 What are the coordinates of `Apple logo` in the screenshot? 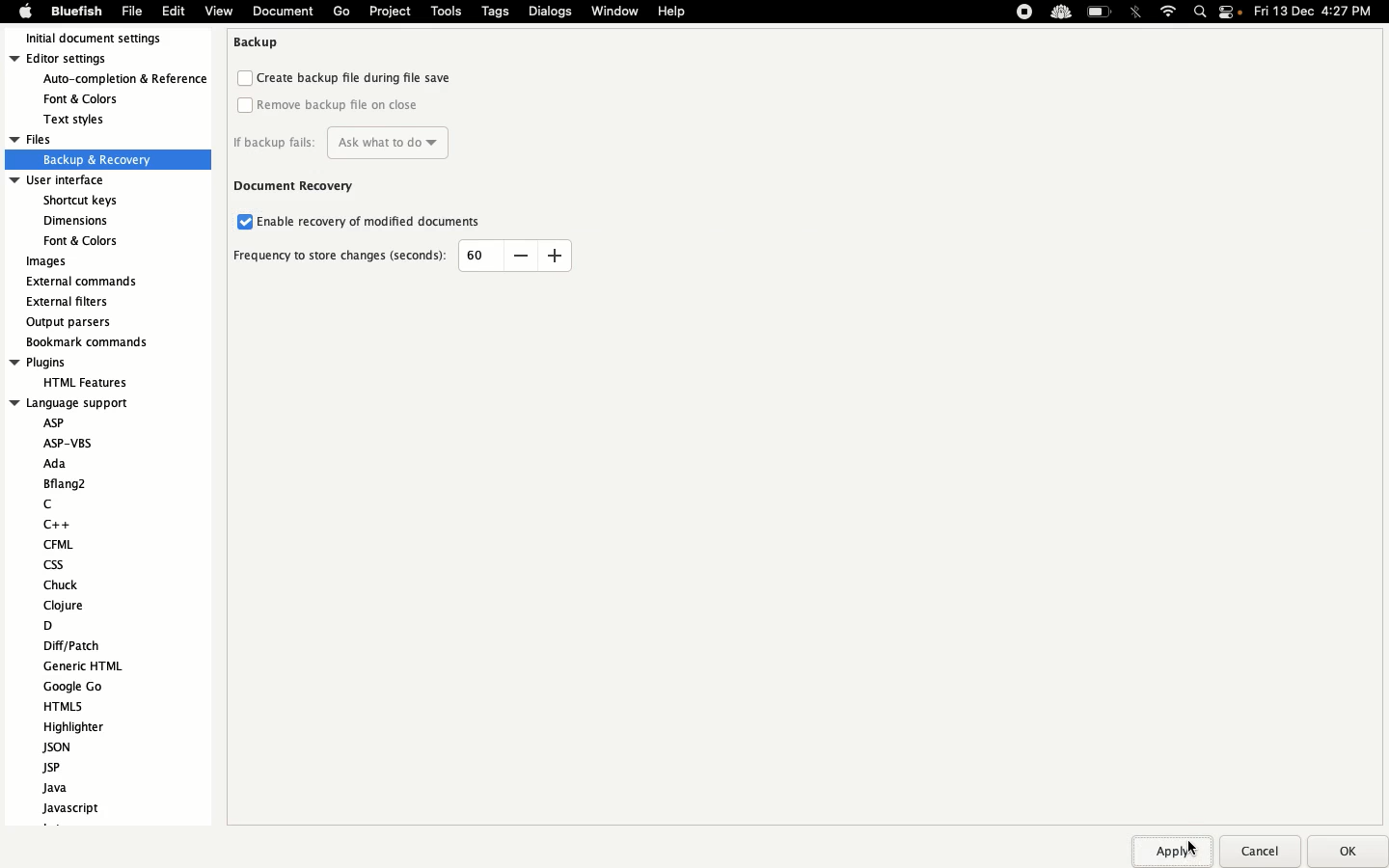 It's located at (21, 13).